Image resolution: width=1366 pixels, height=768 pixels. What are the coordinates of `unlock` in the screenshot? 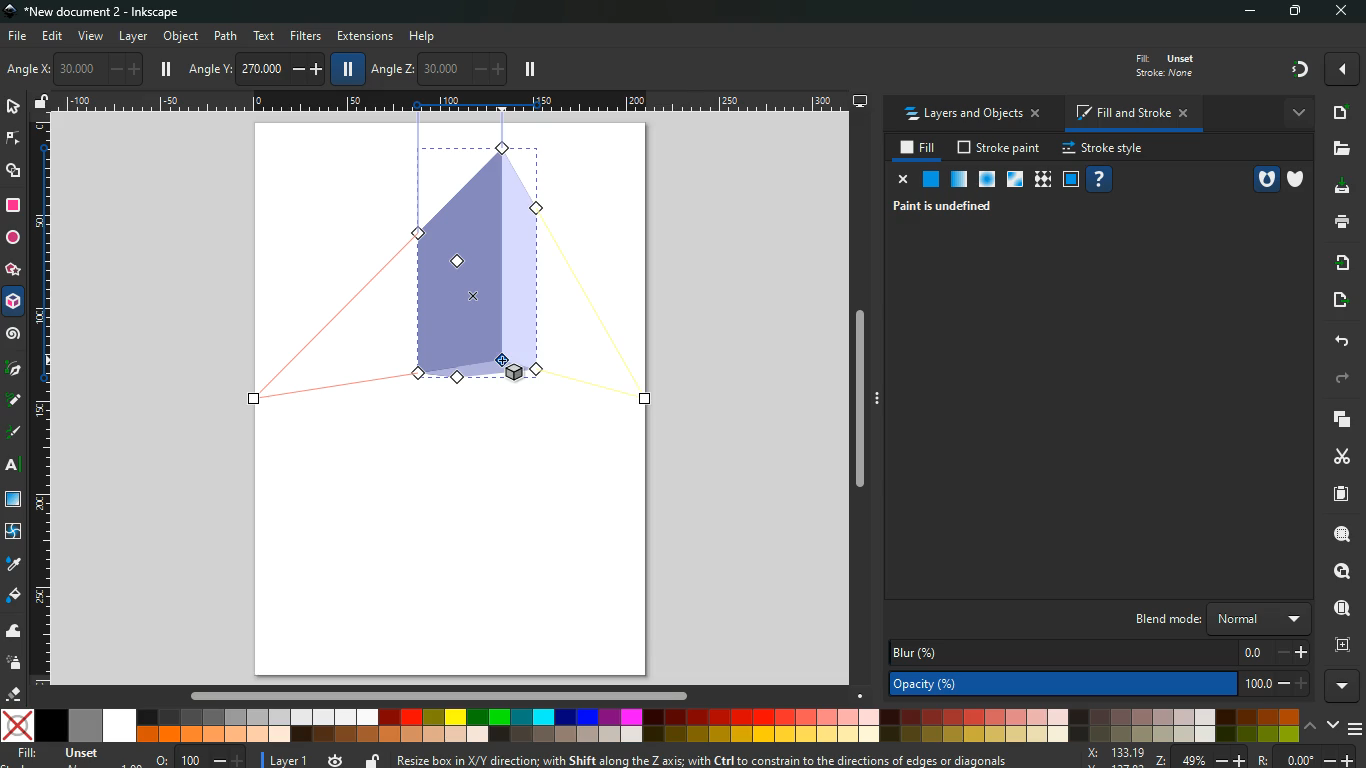 It's located at (42, 103).